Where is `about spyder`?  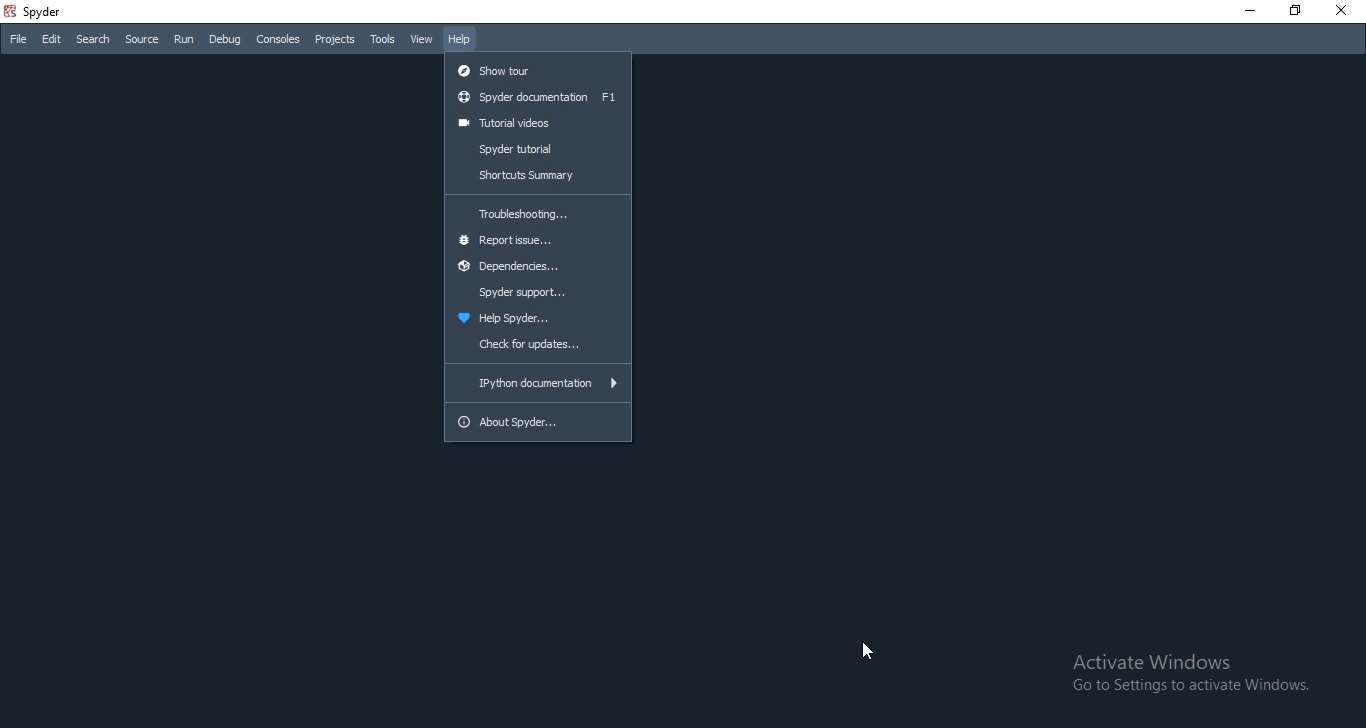 about spyder is located at coordinates (541, 422).